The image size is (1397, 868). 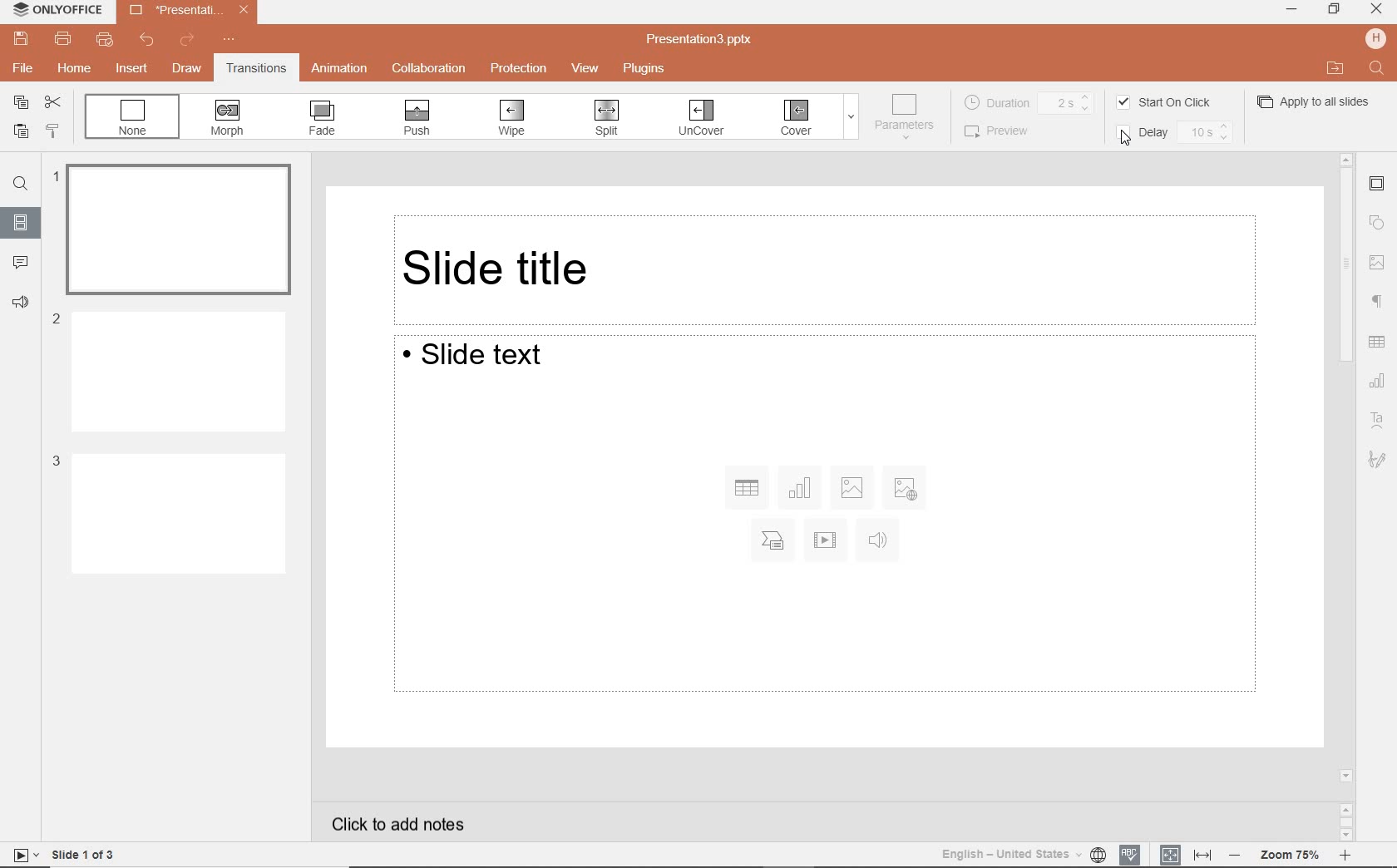 I want to click on chart settings, so click(x=1377, y=381).